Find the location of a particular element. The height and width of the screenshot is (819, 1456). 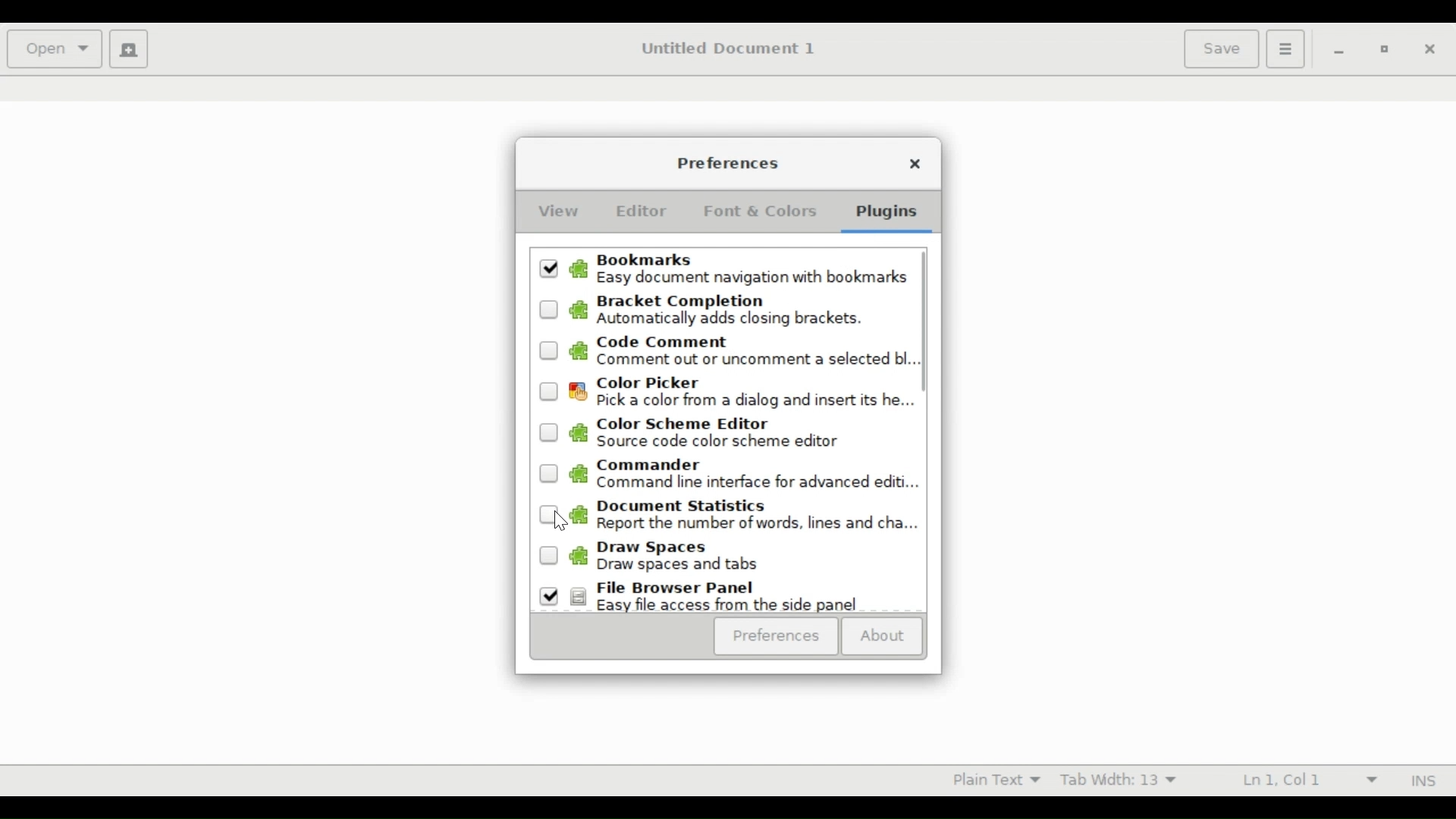

Save is located at coordinates (1220, 49).